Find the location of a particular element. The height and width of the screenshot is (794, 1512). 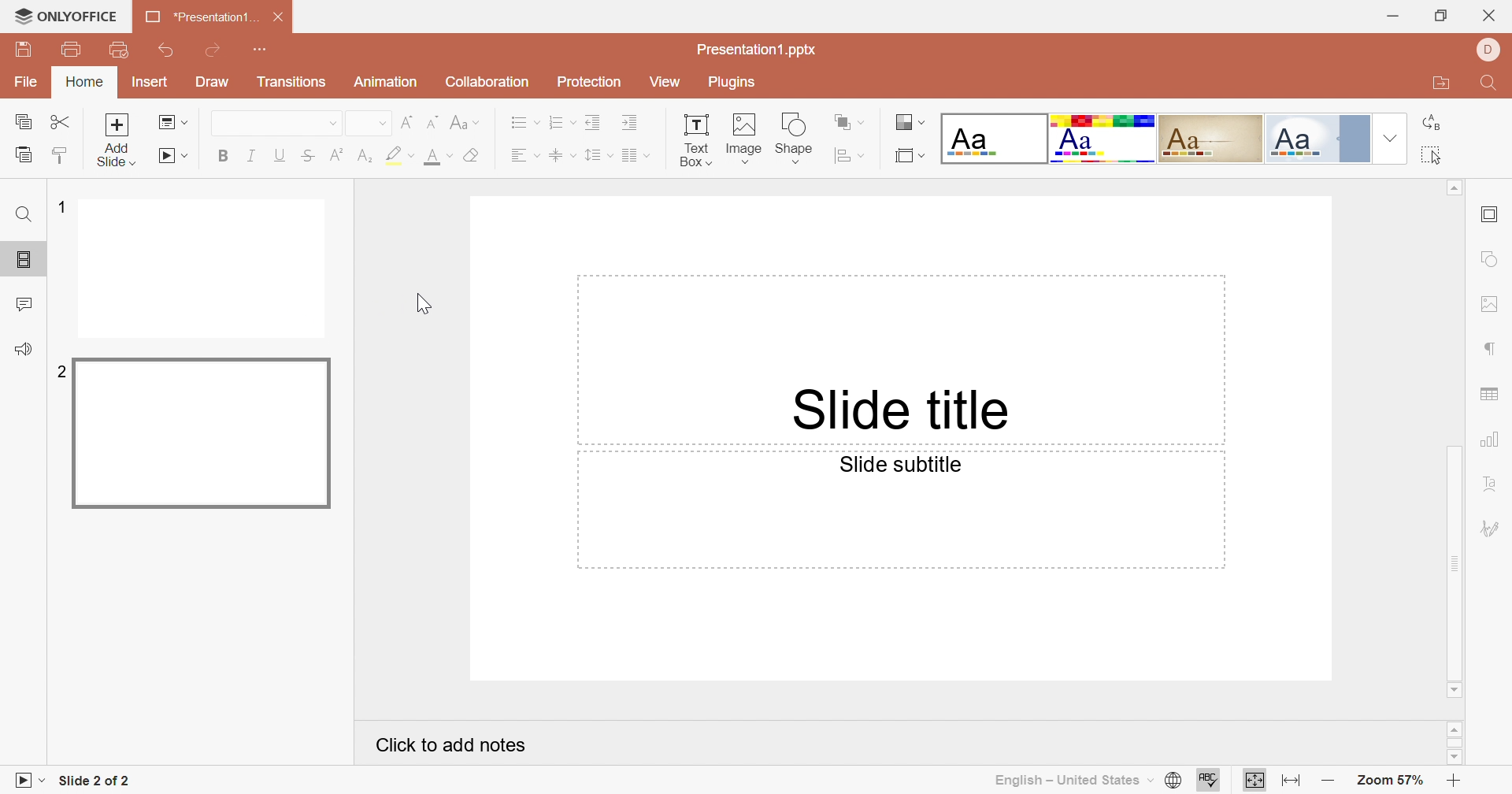

Quick Print is located at coordinates (120, 50).